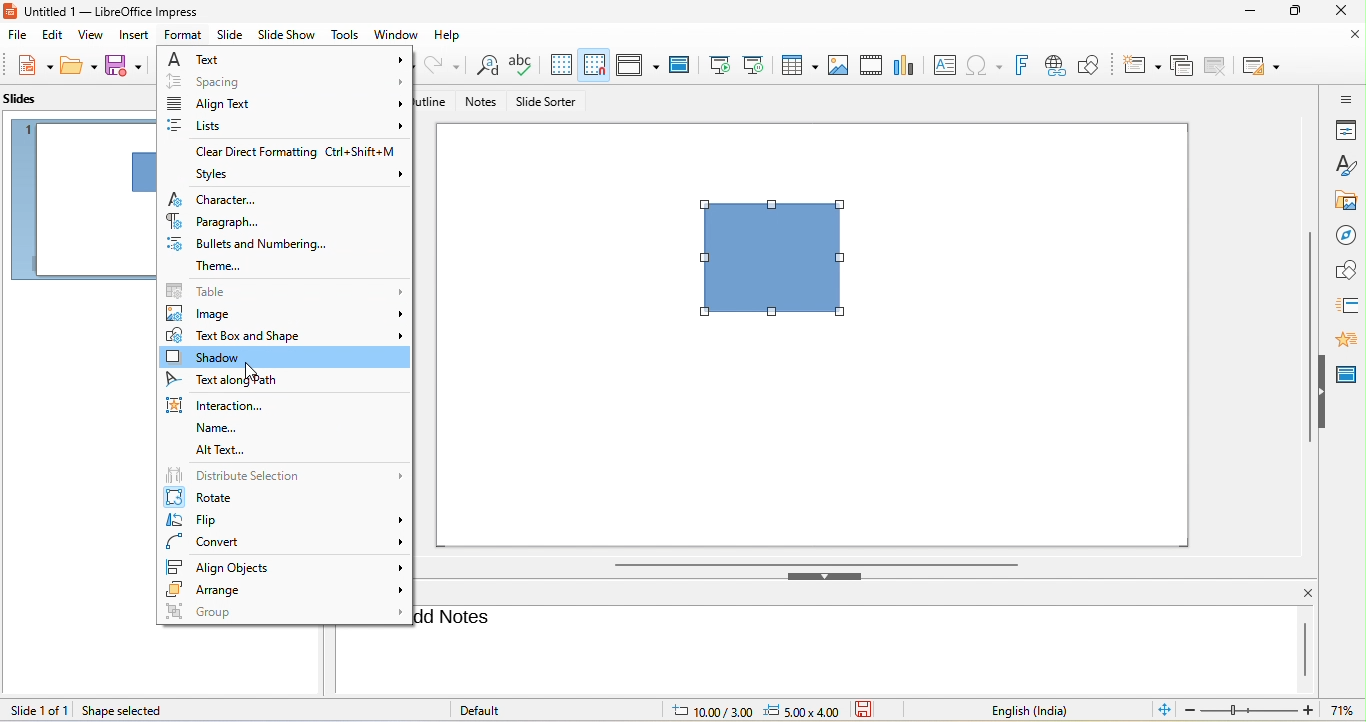  Describe the element at coordinates (1346, 232) in the screenshot. I see `navigator` at that location.